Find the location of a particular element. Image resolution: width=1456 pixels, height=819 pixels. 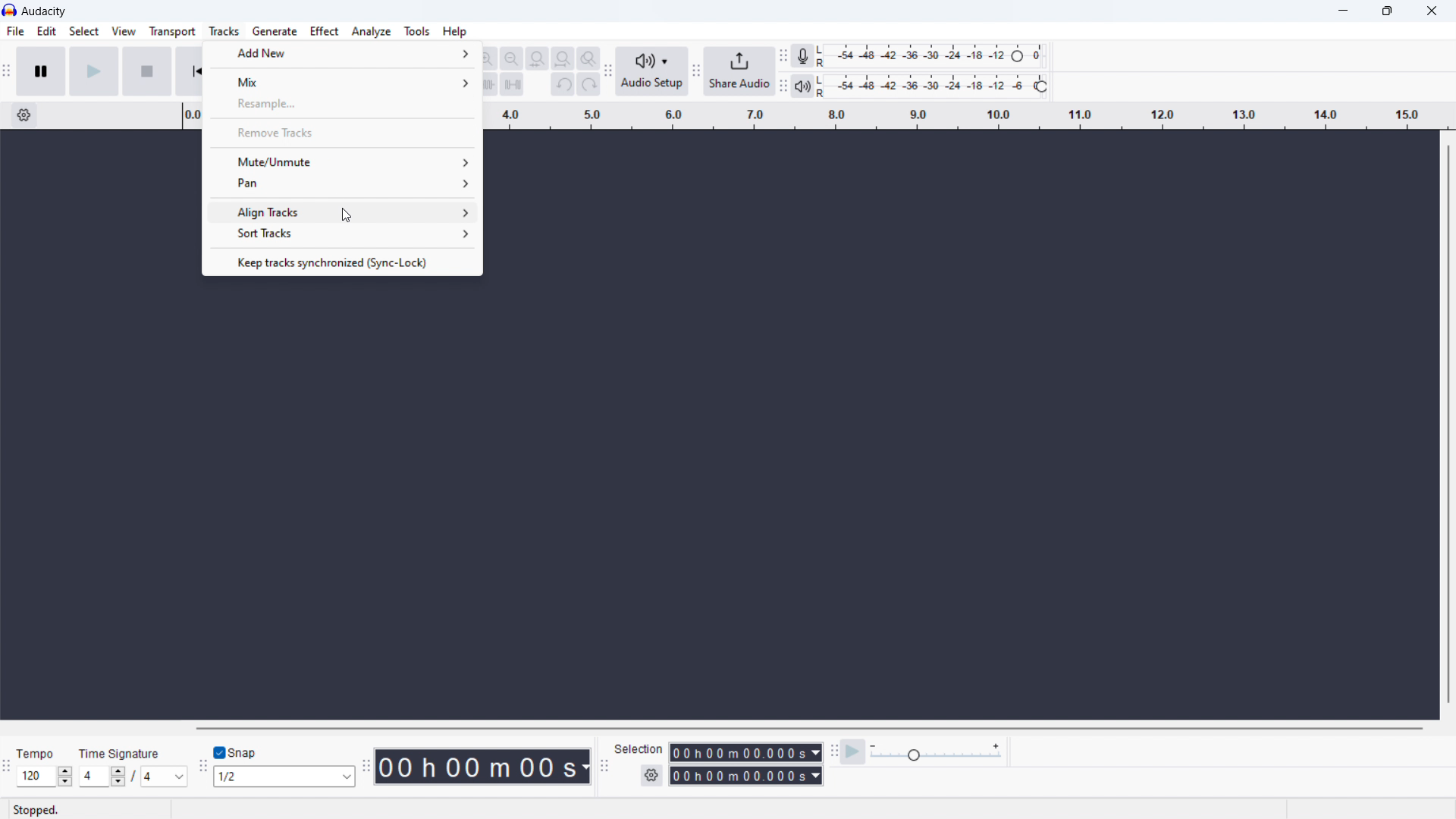

transport toolbar is located at coordinates (8, 72).